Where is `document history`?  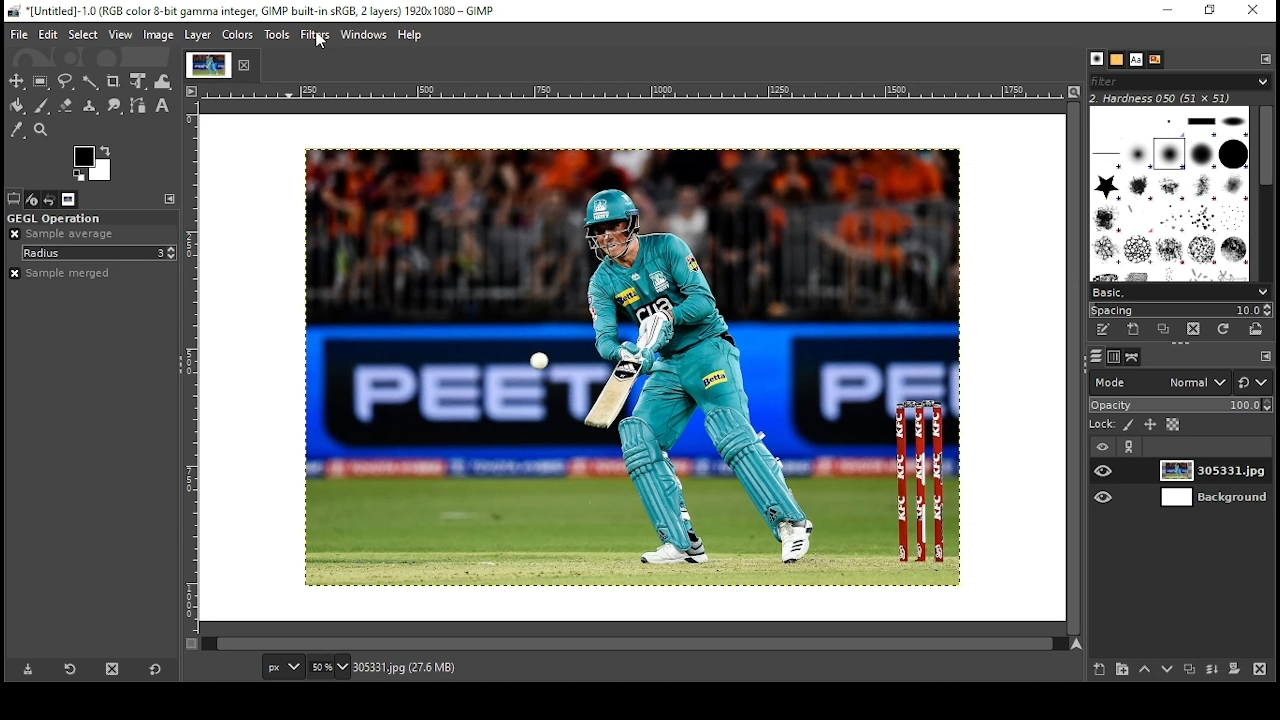 document history is located at coordinates (1156, 59).